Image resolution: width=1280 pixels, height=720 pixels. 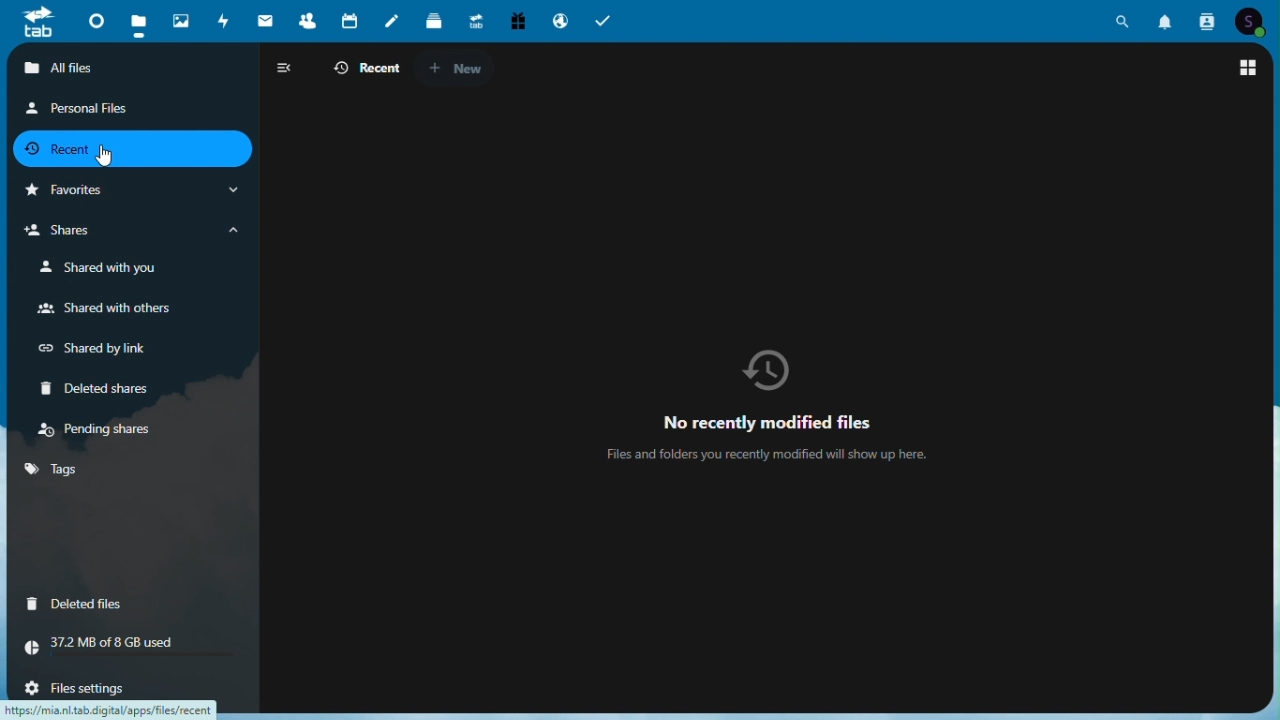 What do you see at coordinates (34, 24) in the screenshot?
I see `tab` at bounding box center [34, 24].